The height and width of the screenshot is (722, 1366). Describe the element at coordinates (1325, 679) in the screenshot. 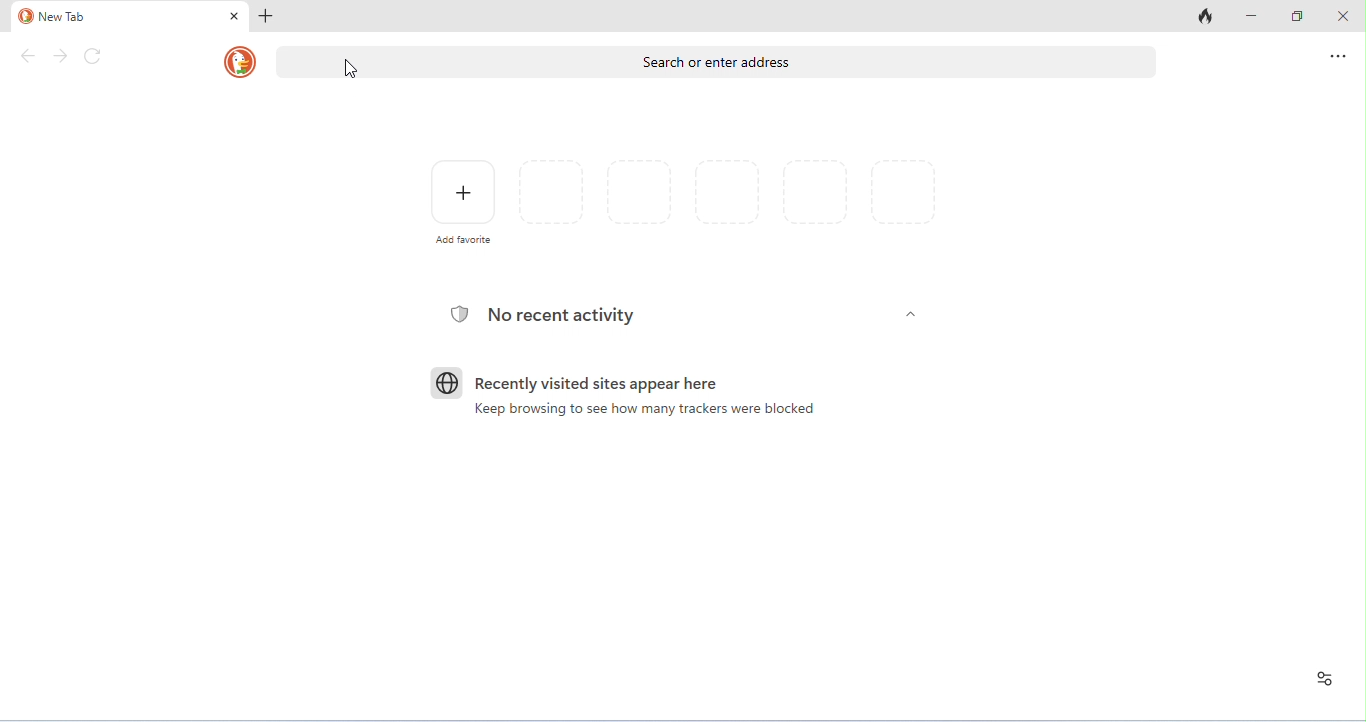

I see `favorite and recent activity` at that location.